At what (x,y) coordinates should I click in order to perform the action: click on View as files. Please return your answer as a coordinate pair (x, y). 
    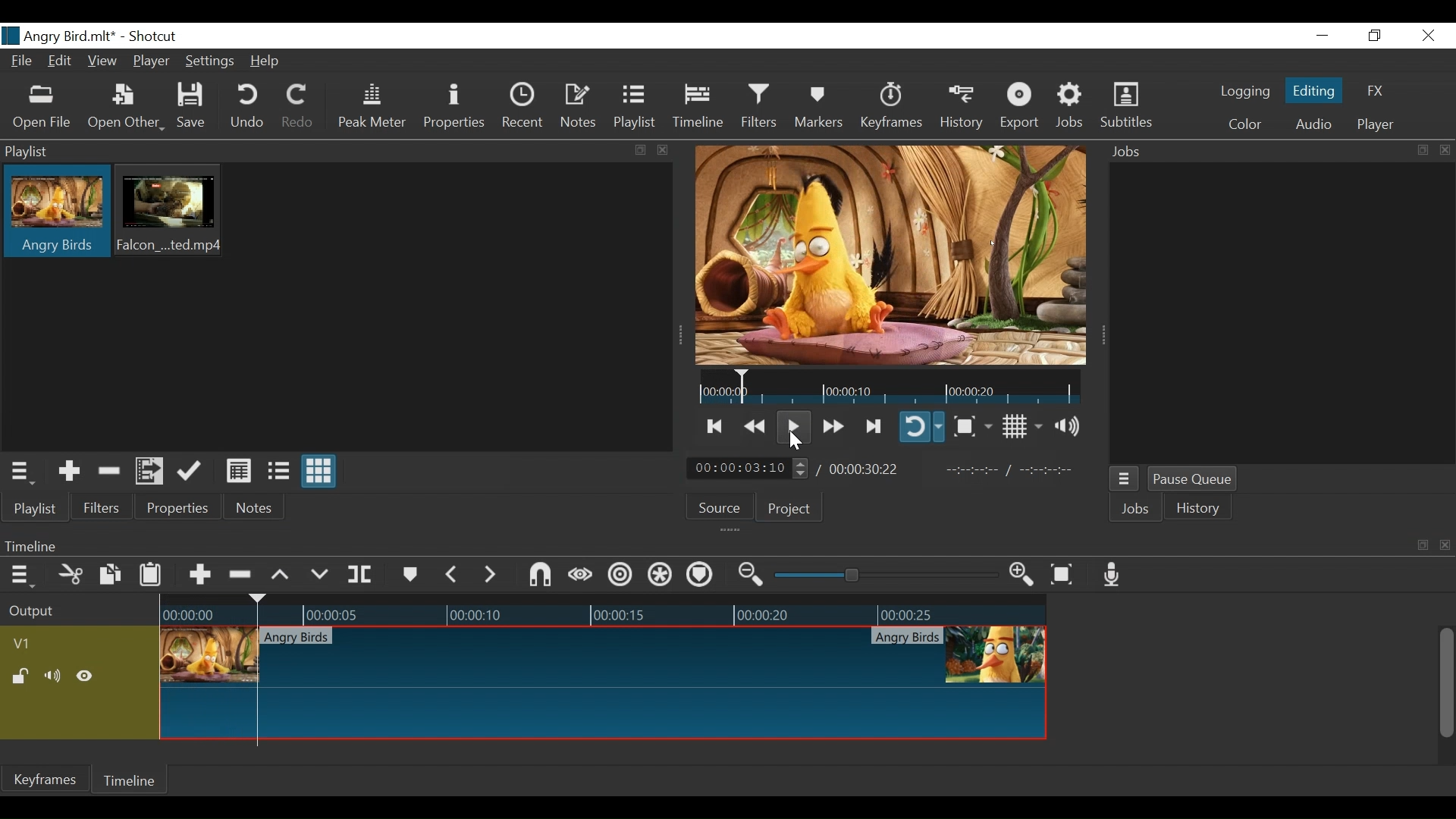
    Looking at the image, I should click on (277, 469).